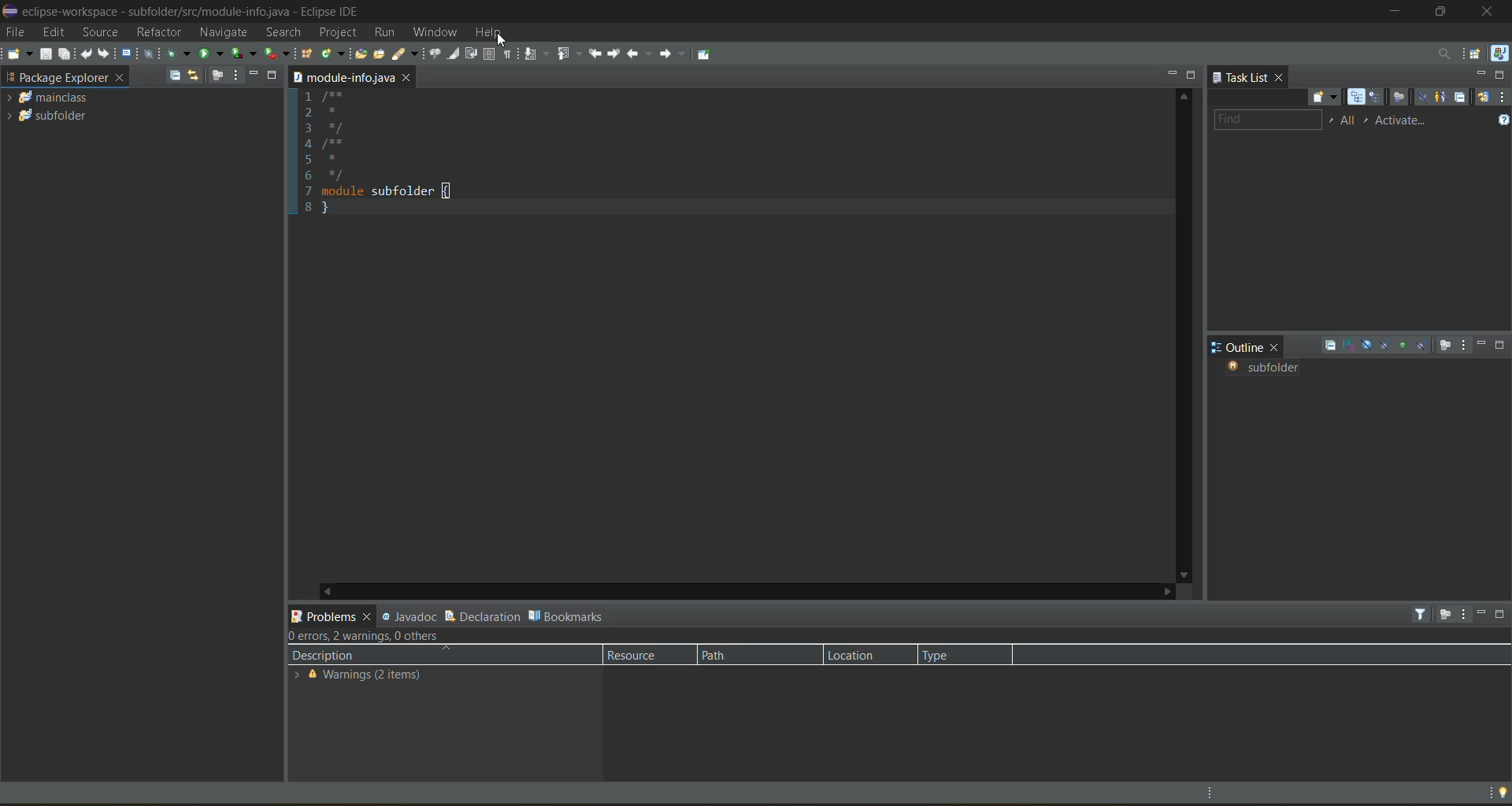 The height and width of the screenshot is (806, 1512). Describe the element at coordinates (1401, 97) in the screenshot. I see `focus on workweek ` at that location.